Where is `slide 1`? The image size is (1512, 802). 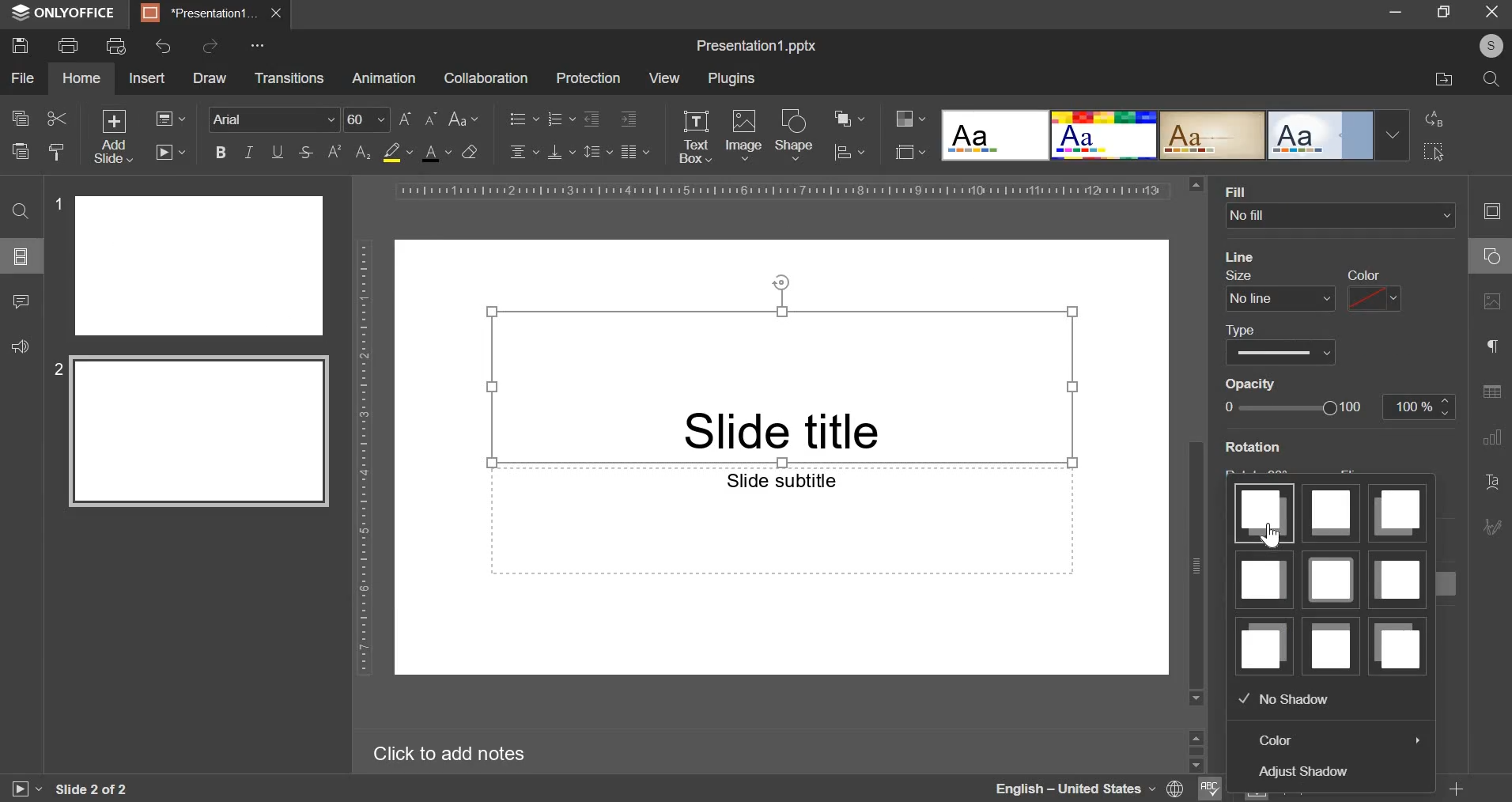
slide 1 is located at coordinates (192, 265).